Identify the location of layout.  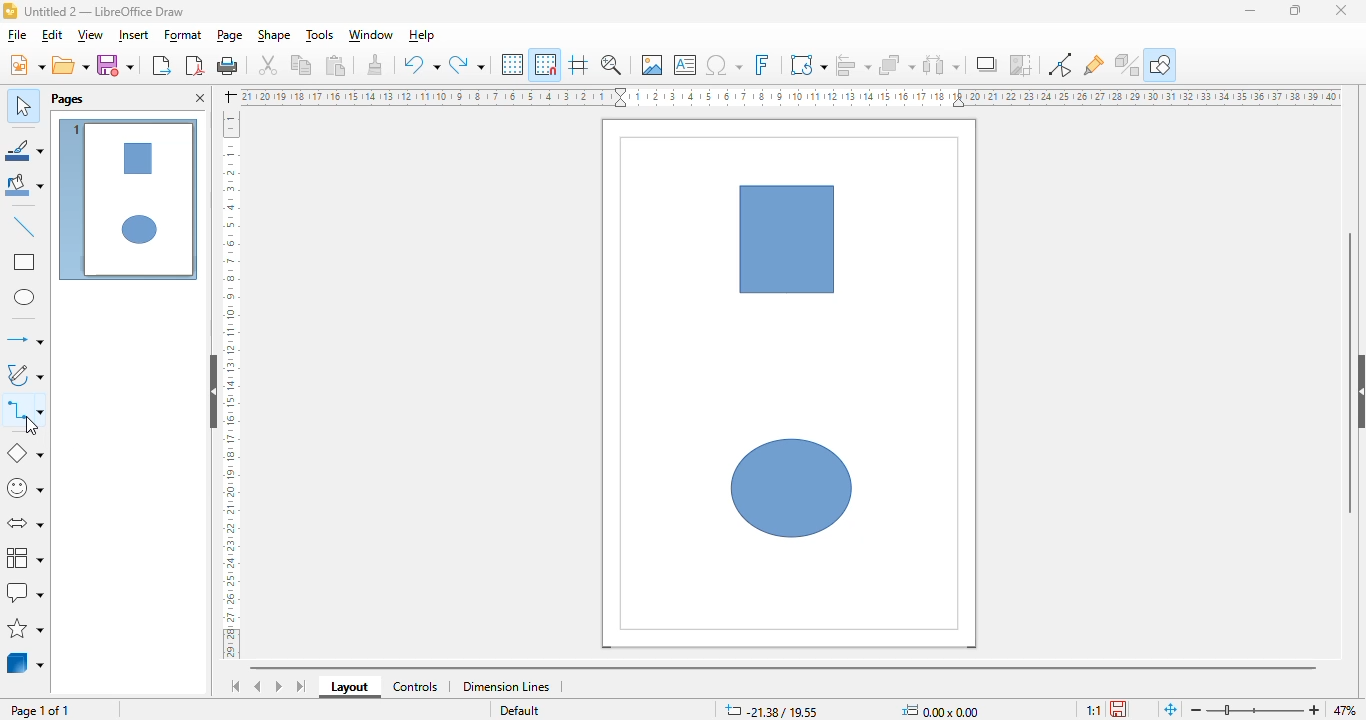
(350, 687).